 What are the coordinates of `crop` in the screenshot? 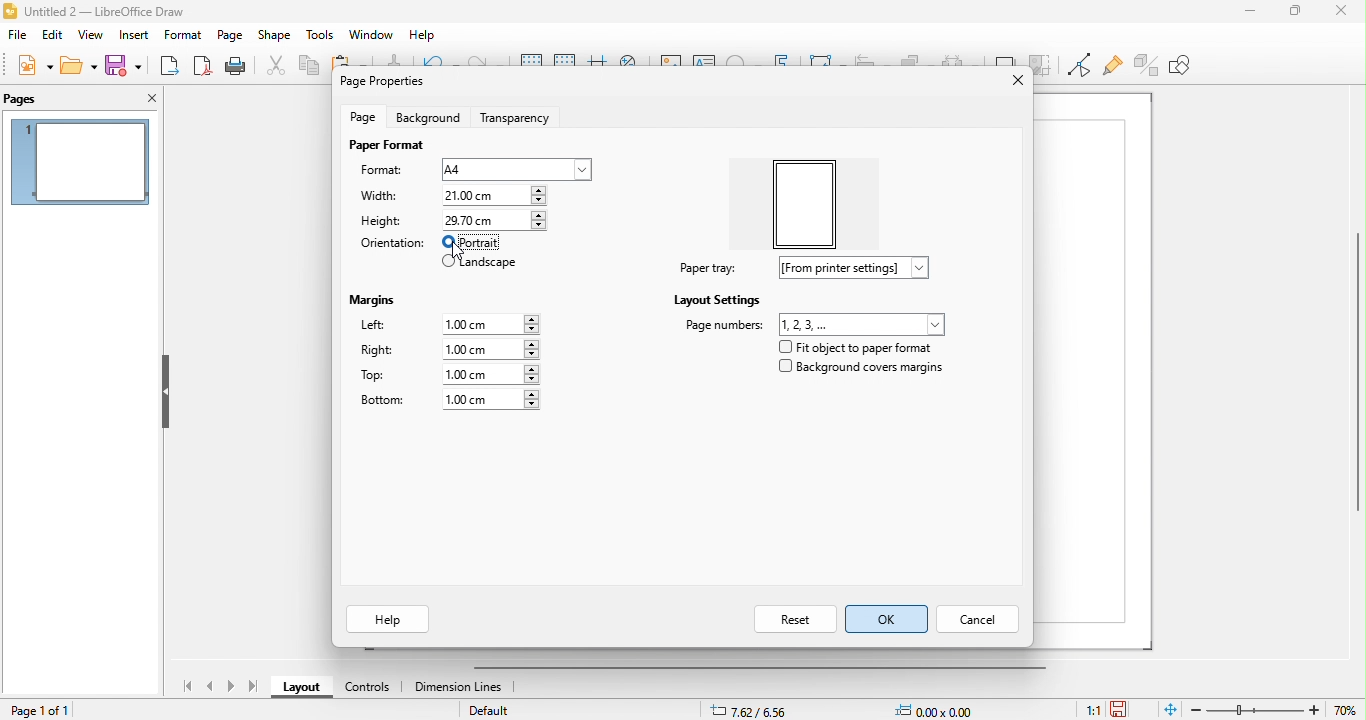 It's located at (1042, 61).